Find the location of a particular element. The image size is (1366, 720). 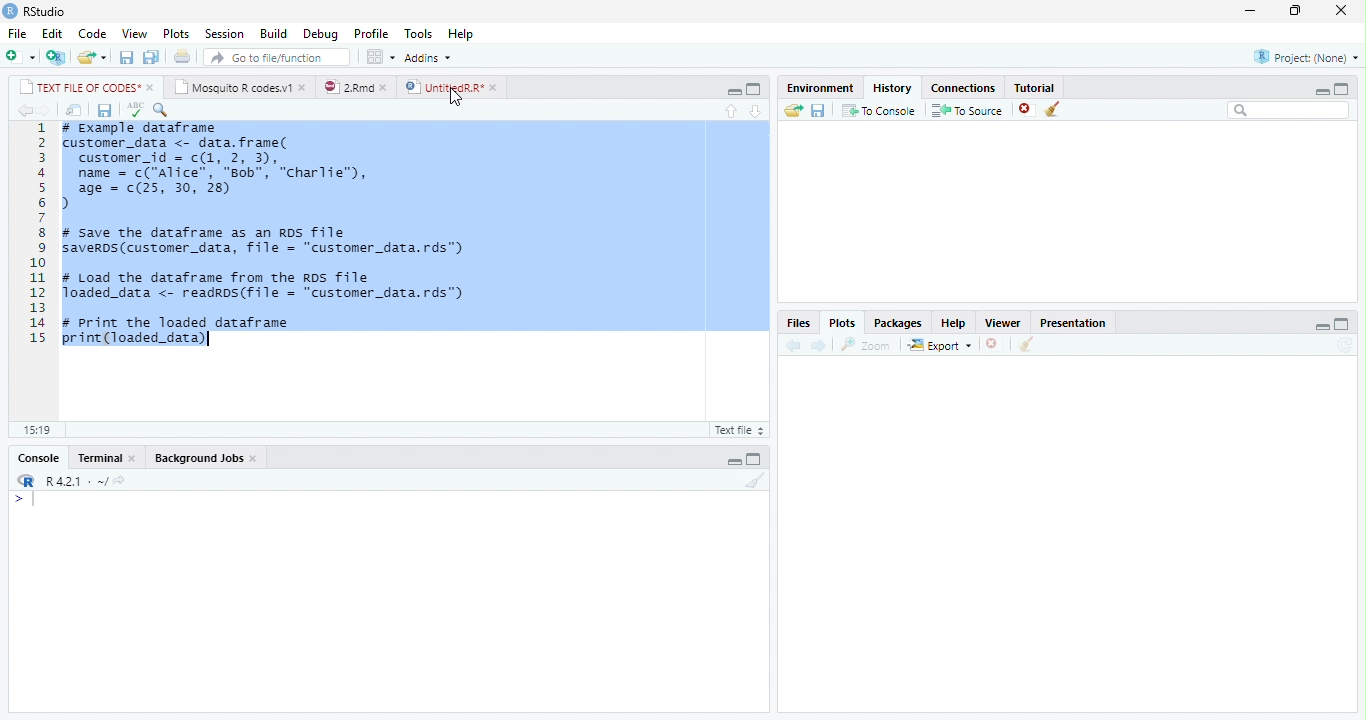

Addins is located at coordinates (428, 58).